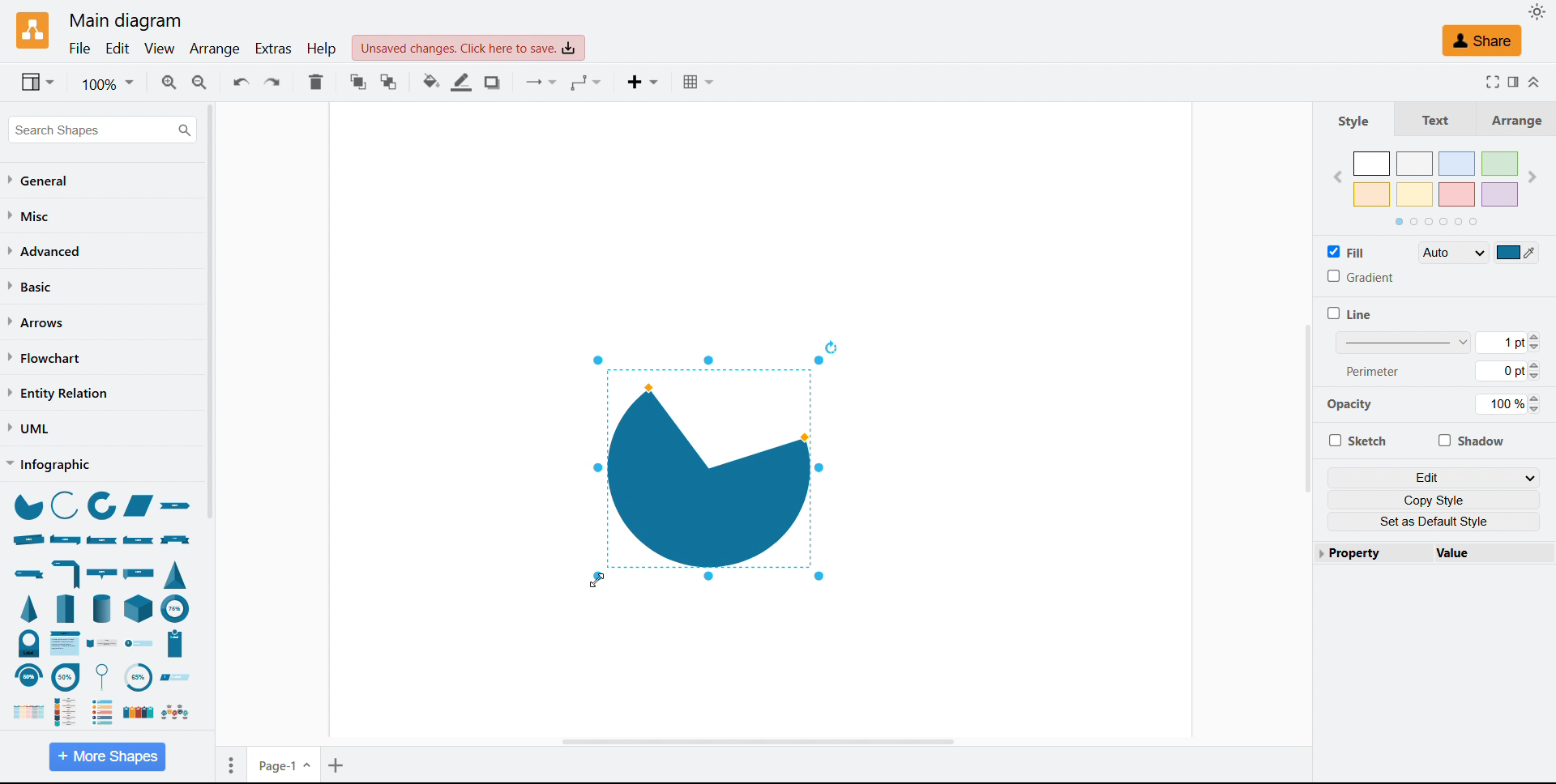 This screenshot has width=1556, height=784. Describe the element at coordinates (29, 643) in the screenshot. I see `circular dial` at that location.